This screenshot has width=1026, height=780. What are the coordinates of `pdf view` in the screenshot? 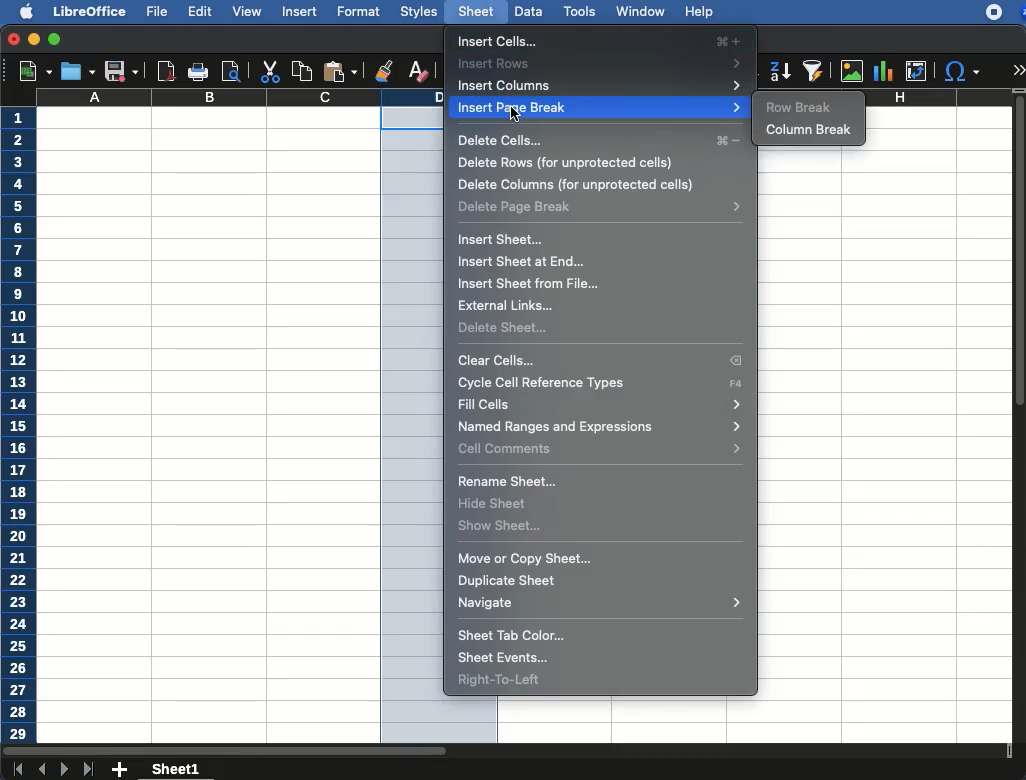 It's located at (167, 73).